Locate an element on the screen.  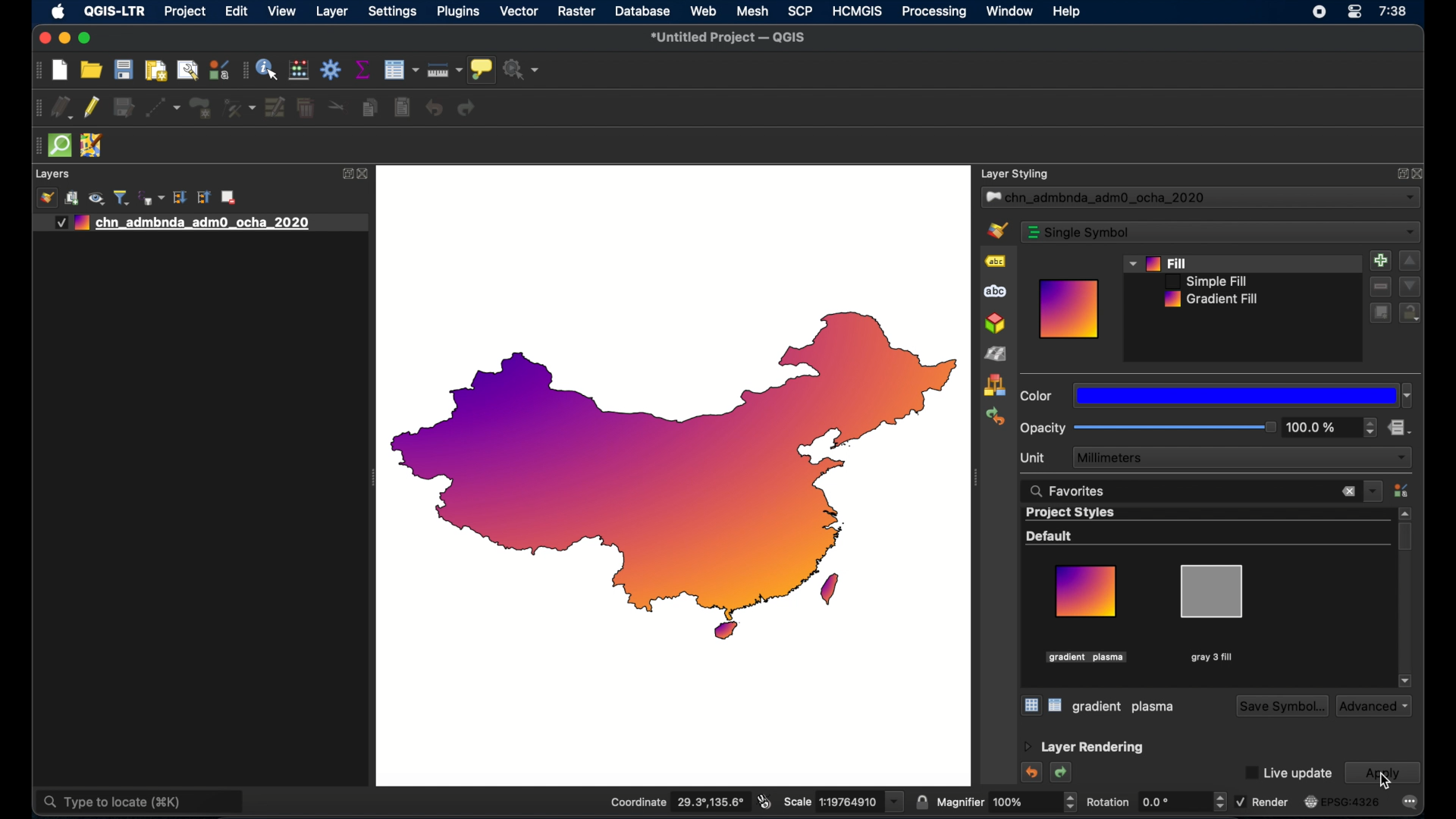
masks is located at coordinates (998, 291).